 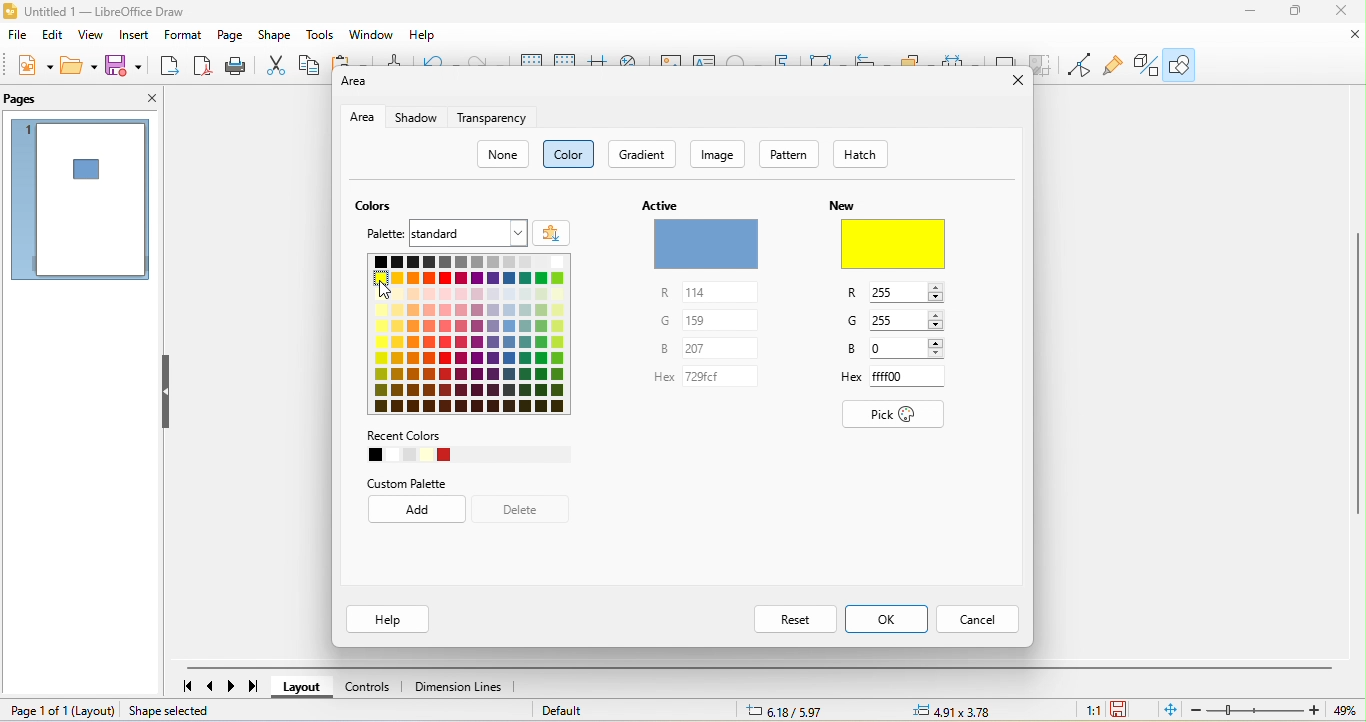 What do you see at coordinates (1296, 12) in the screenshot?
I see `maximize` at bounding box center [1296, 12].